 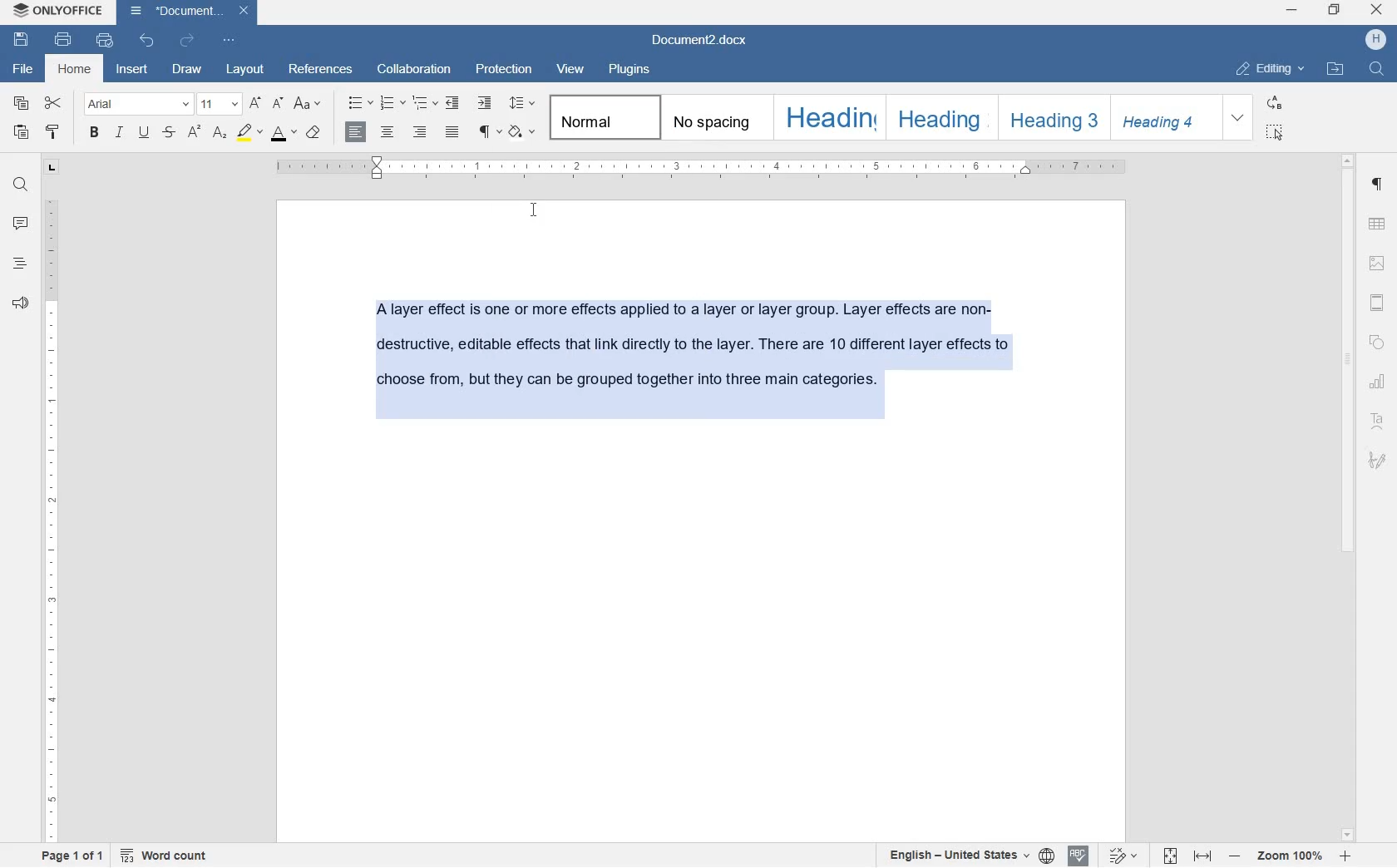 I want to click on scrollbar, so click(x=1350, y=496).